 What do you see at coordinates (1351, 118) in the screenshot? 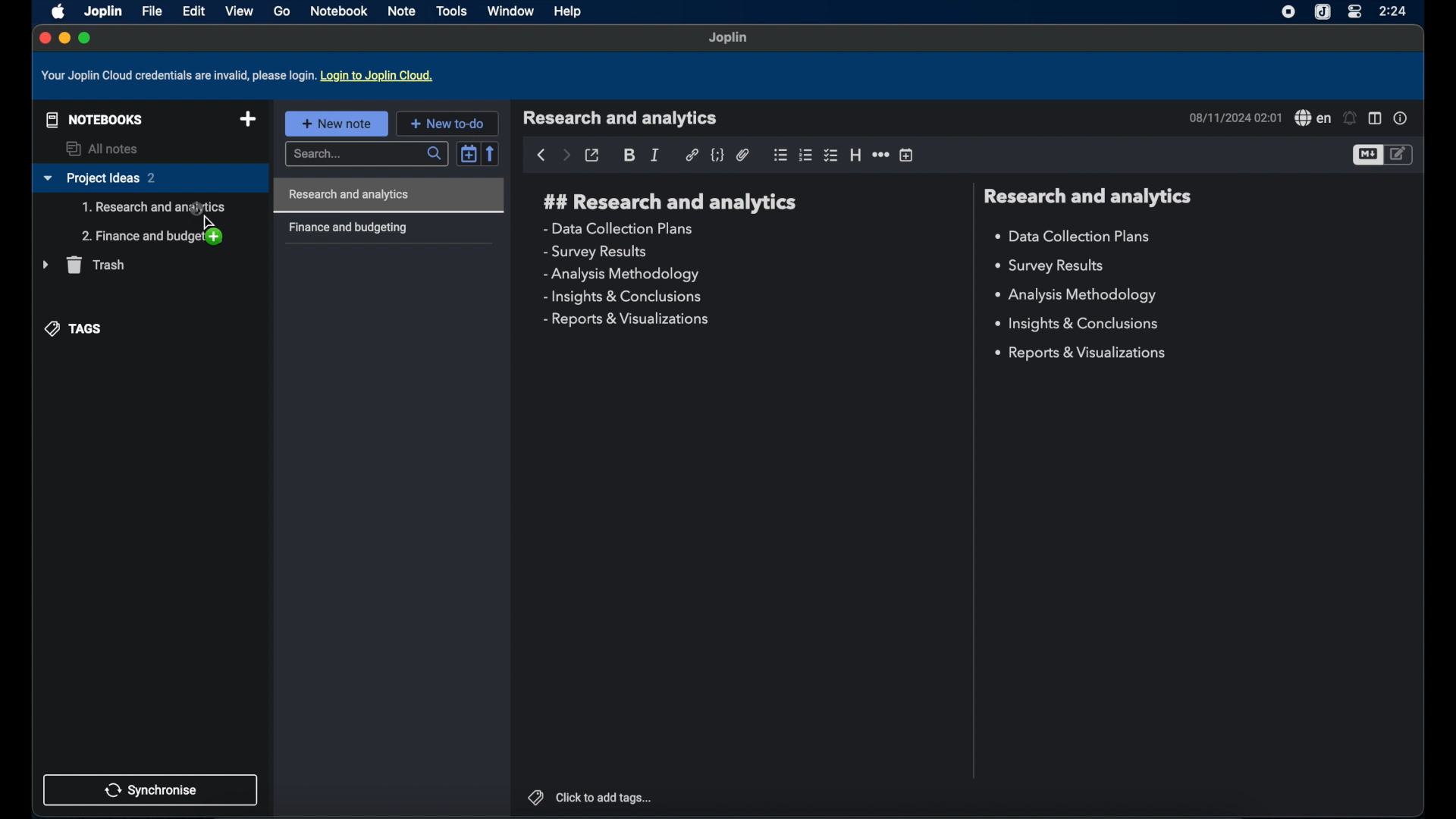
I see `set alarm` at bounding box center [1351, 118].